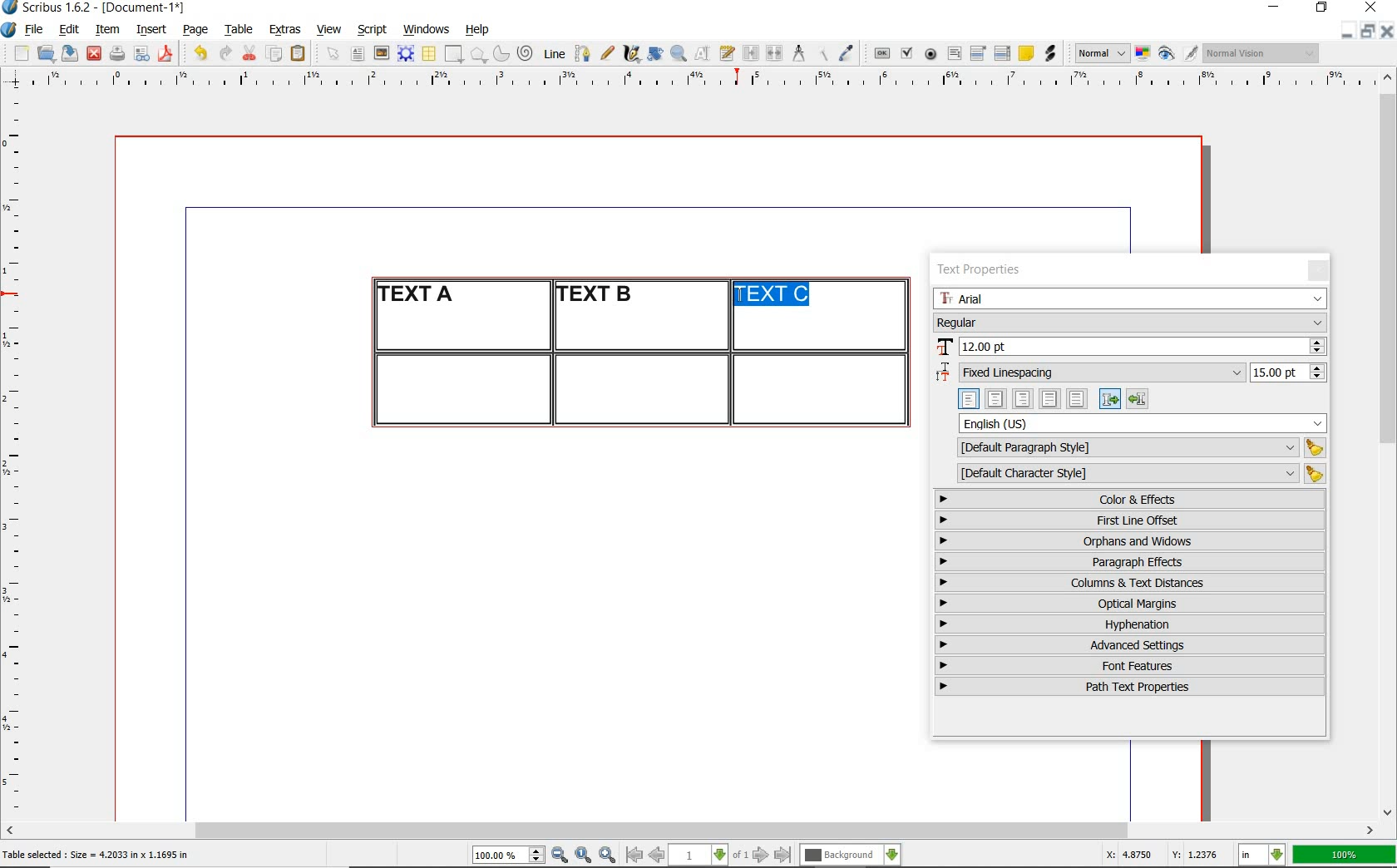 This screenshot has width=1397, height=868. What do you see at coordinates (1131, 520) in the screenshot?
I see `first line offset` at bounding box center [1131, 520].